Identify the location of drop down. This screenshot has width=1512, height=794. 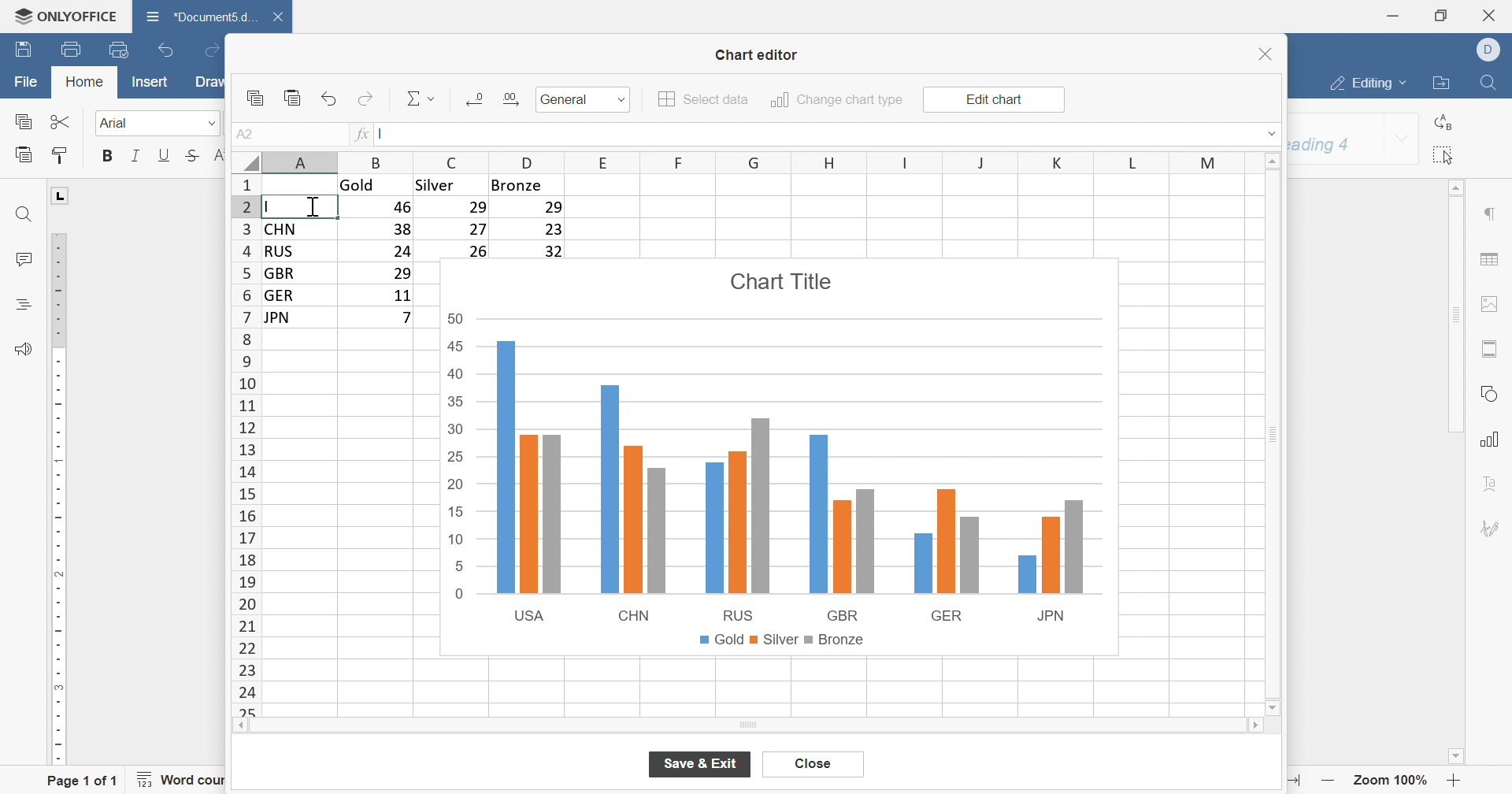
(1273, 132).